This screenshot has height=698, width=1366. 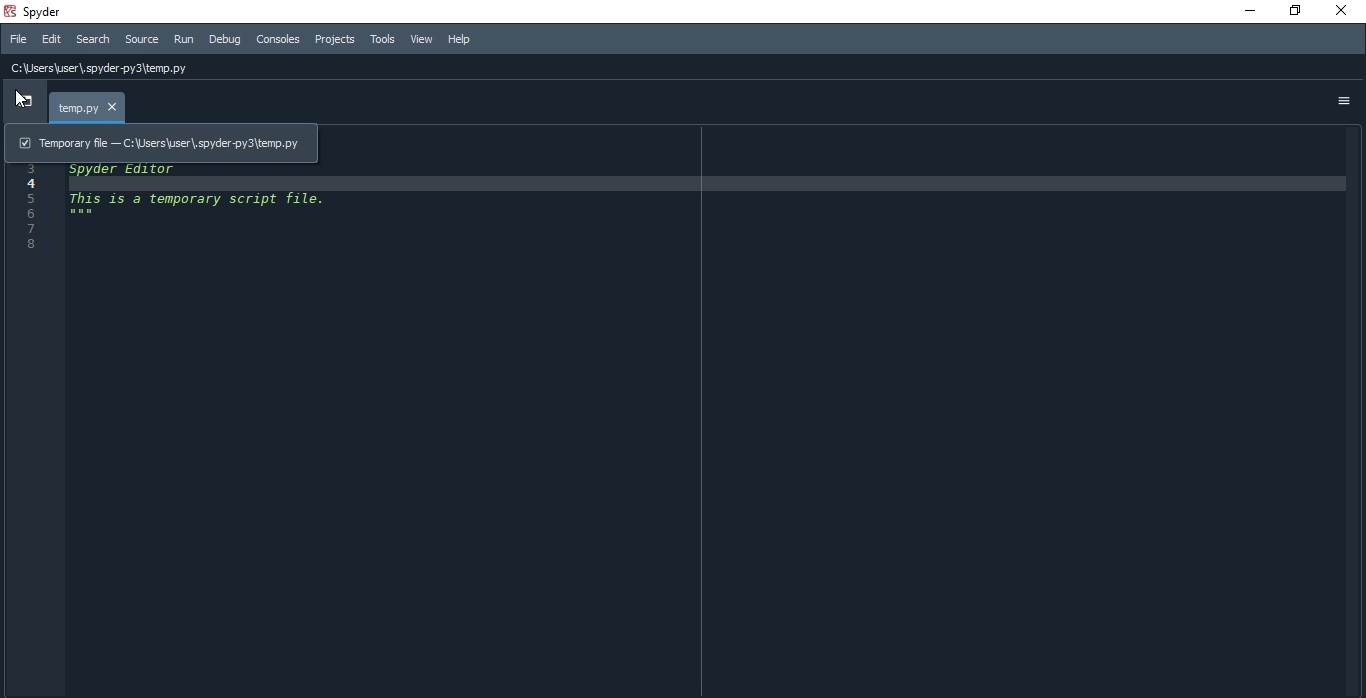 I want to click on File , so click(x=19, y=38).